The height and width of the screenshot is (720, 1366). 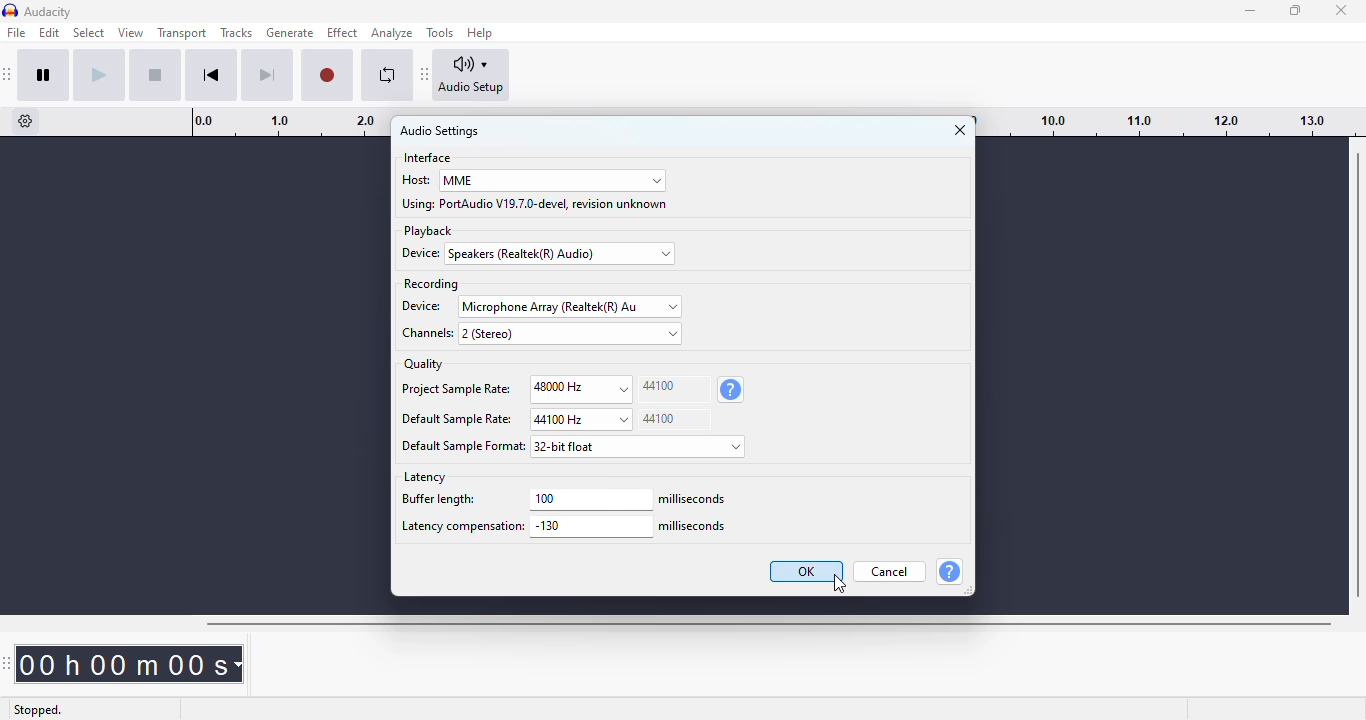 What do you see at coordinates (428, 231) in the screenshot?
I see `playback` at bounding box center [428, 231].